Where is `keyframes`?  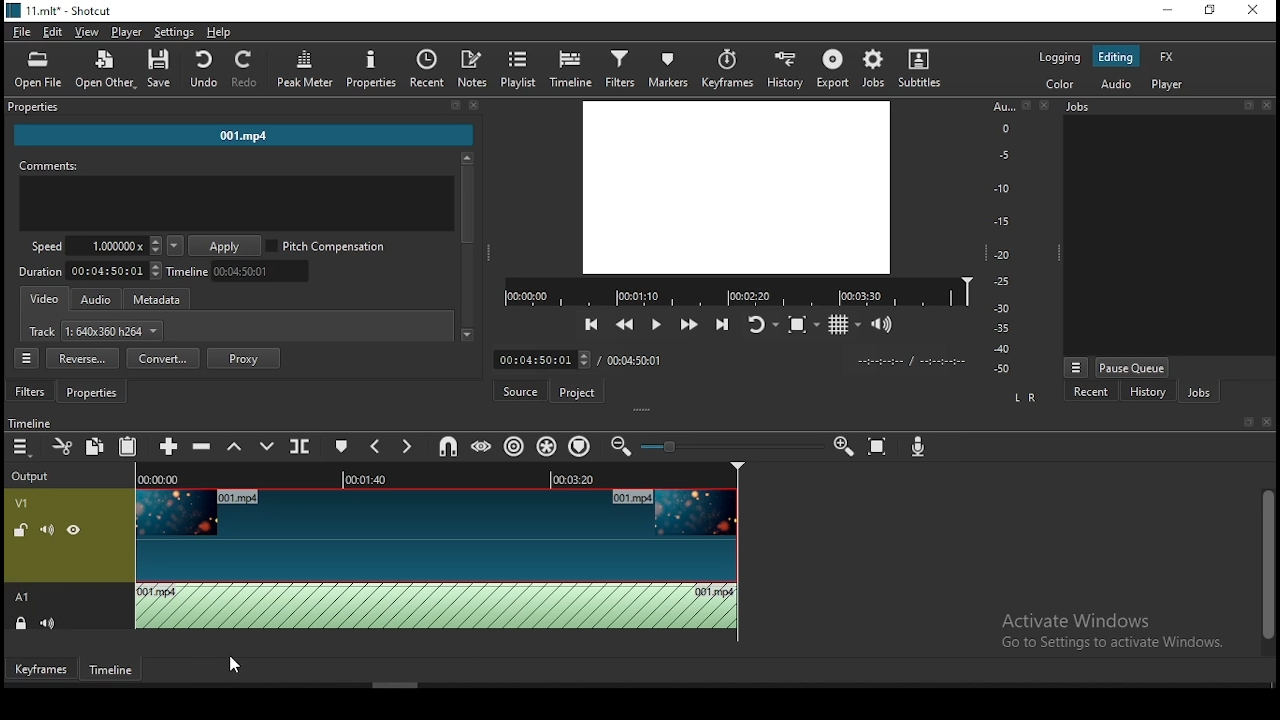 keyframes is located at coordinates (727, 66).